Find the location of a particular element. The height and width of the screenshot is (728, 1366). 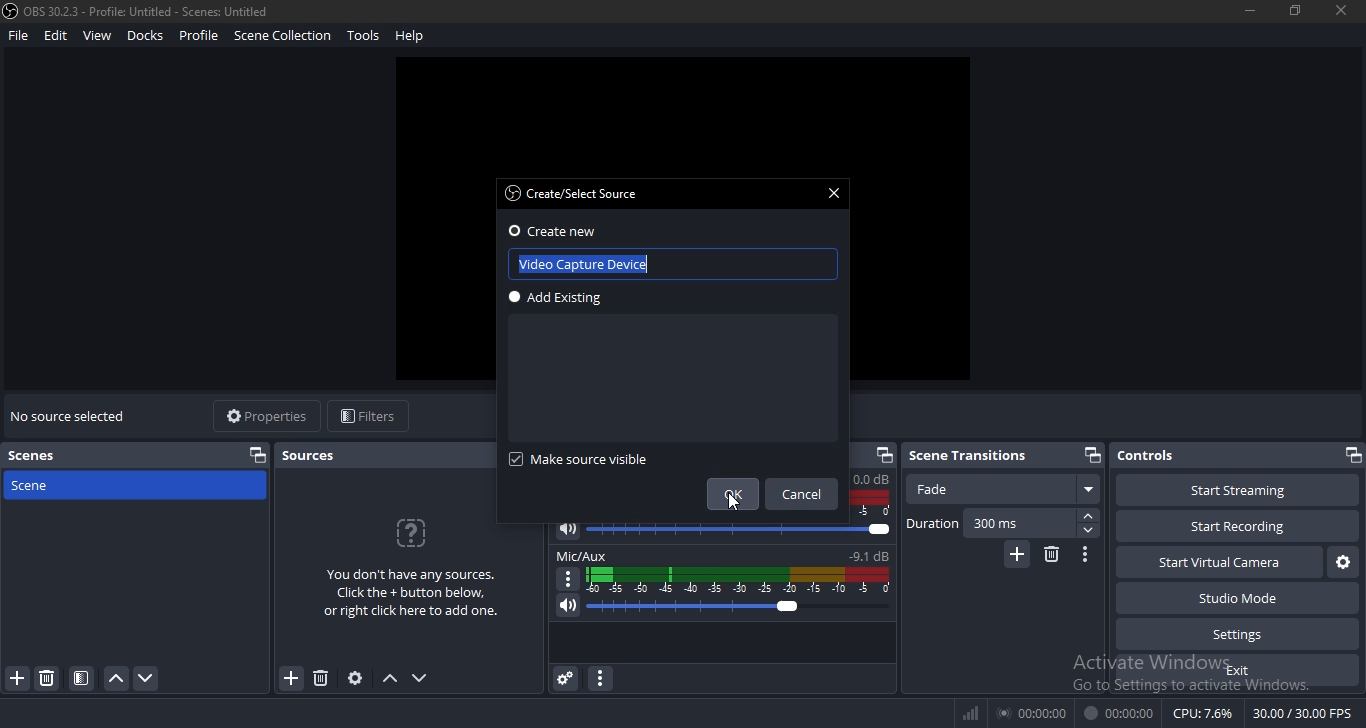

make source visible is located at coordinates (596, 464).